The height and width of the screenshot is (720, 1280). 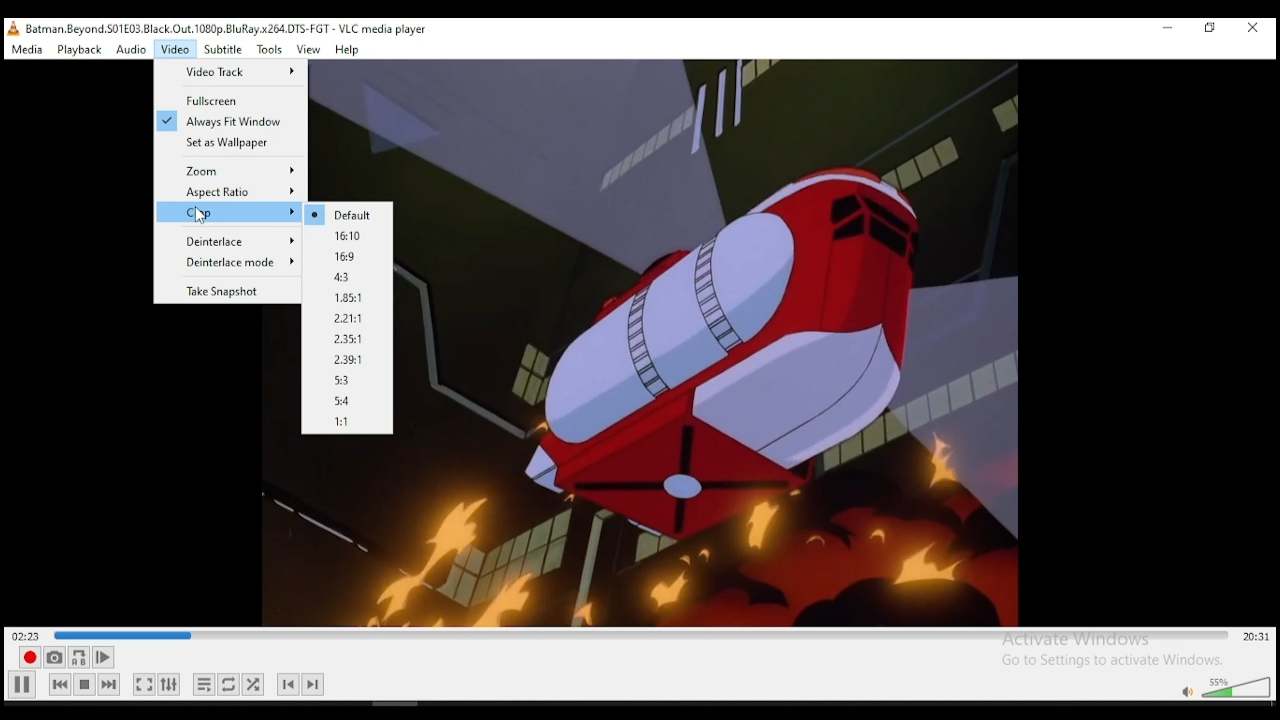 What do you see at coordinates (229, 191) in the screenshot?
I see `Aspect ratio` at bounding box center [229, 191].